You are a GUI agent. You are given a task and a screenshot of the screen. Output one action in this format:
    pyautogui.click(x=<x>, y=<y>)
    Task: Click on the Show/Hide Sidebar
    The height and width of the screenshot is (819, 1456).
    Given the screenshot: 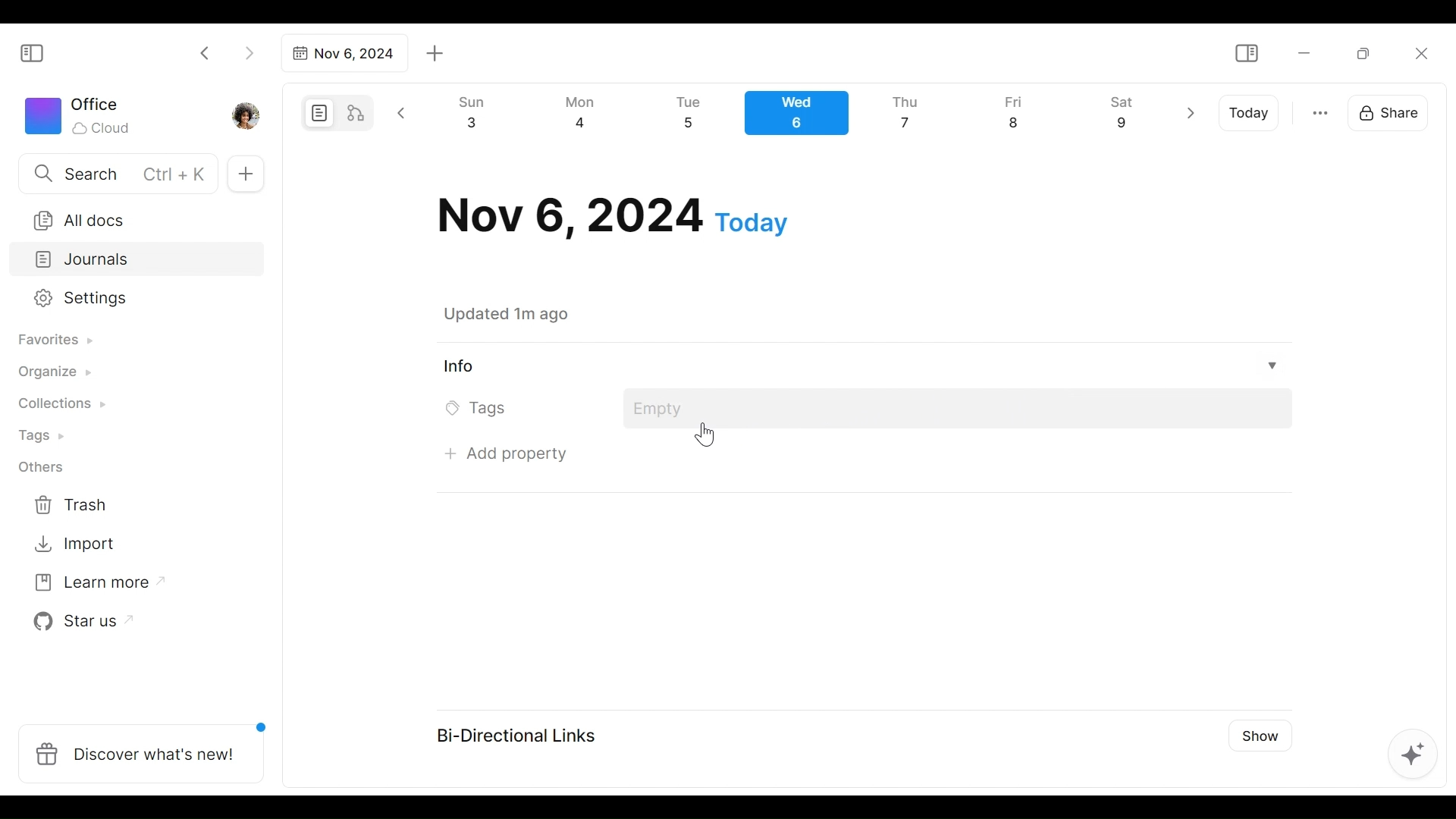 What is the action you would take?
    pyautogui.click(x=39, y=52)
    